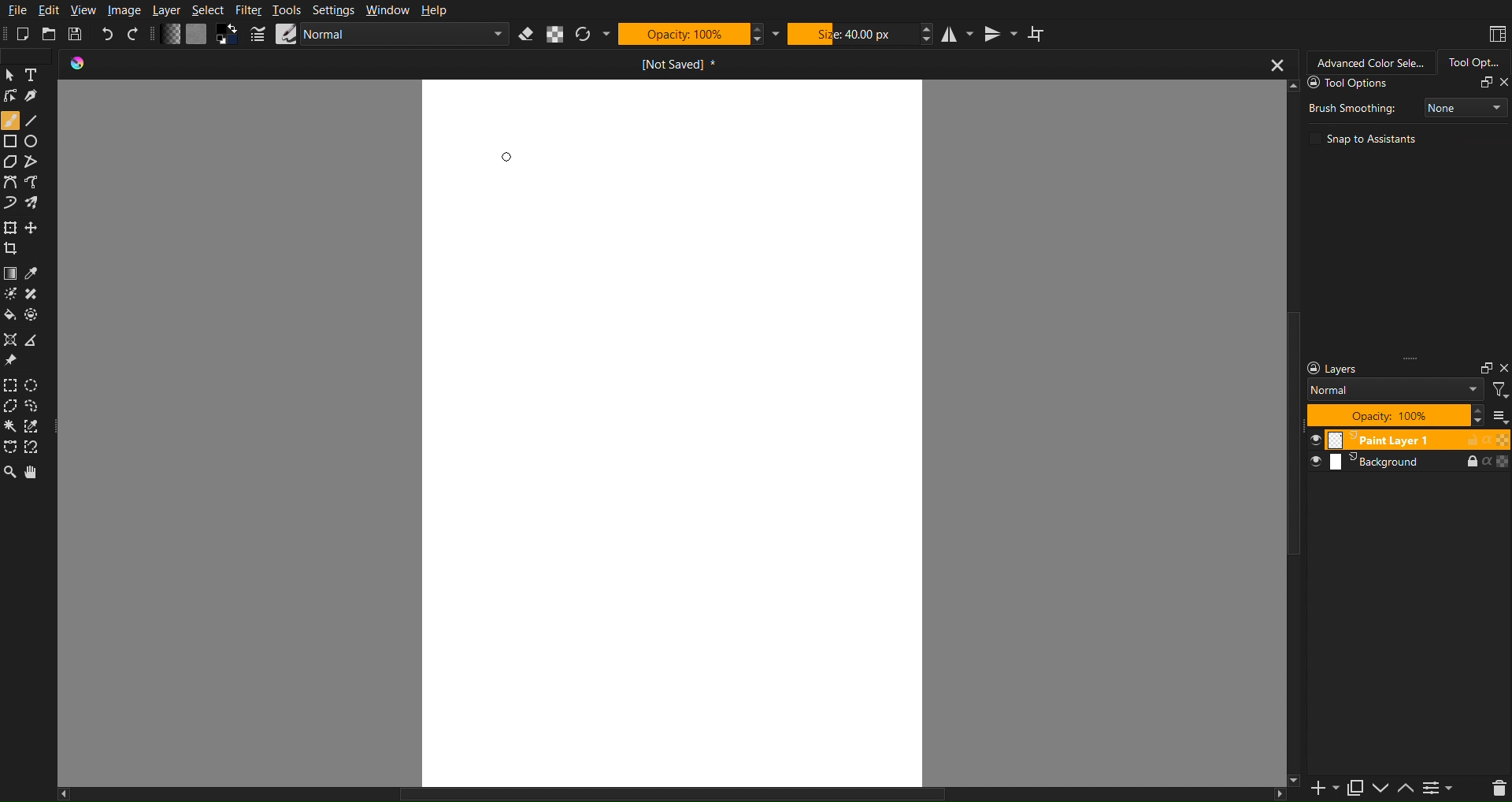  What do you see at coordinates (681, 794) in the screenshot?
I see `Scrollbar` at bounding box center [681, 794].